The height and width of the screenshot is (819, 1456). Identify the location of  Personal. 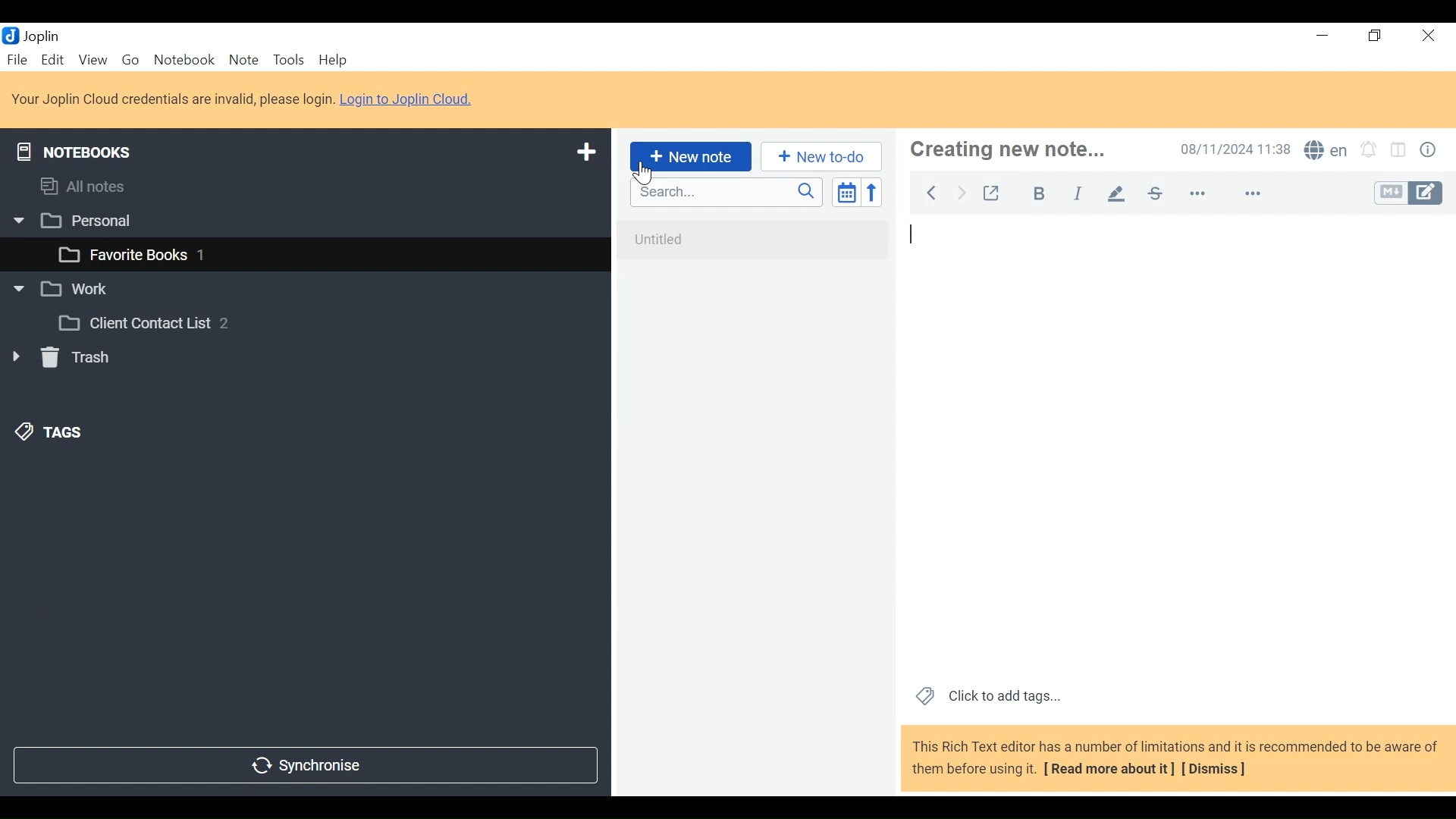
(71, 221).